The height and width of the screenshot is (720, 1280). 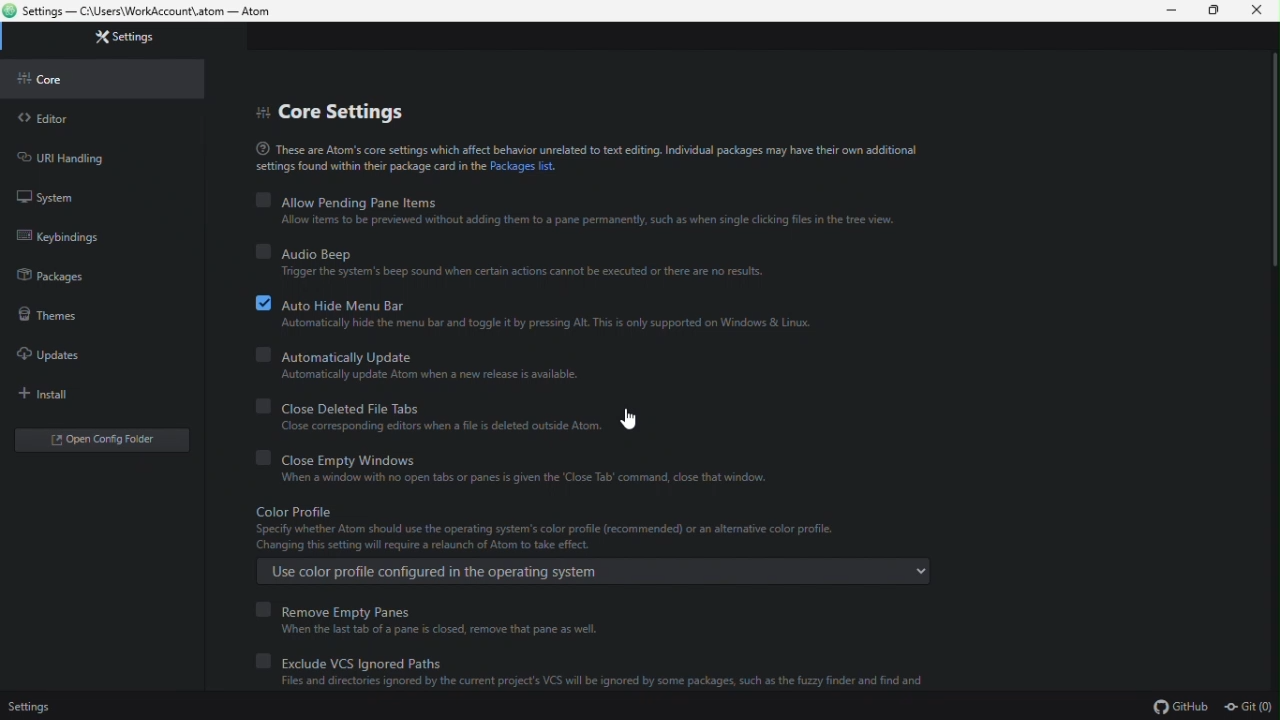 I want to click on restore, so click(x=1209, y=11).